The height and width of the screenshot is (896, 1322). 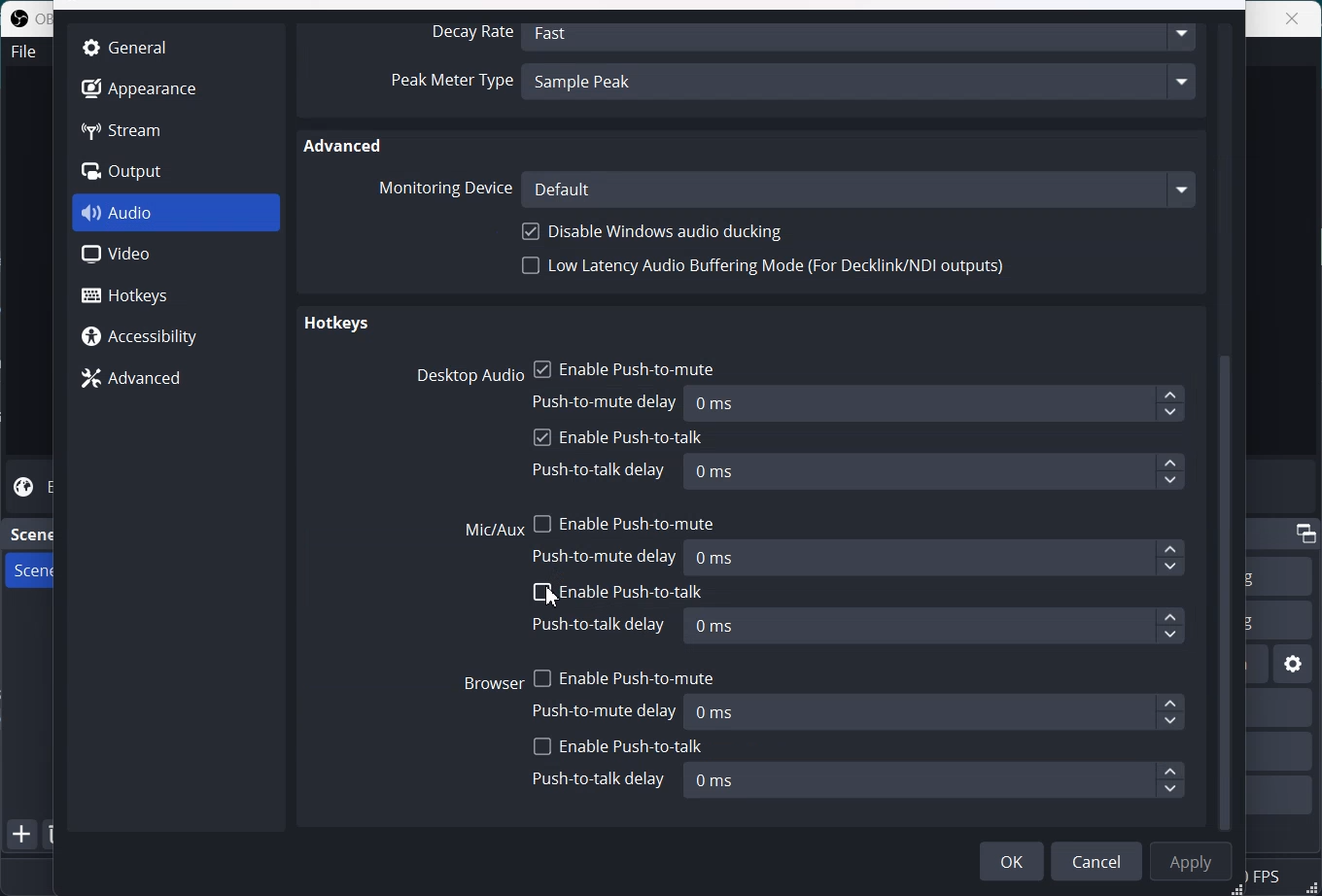 I want to click on 0 ms, so click(x=937, y=404).